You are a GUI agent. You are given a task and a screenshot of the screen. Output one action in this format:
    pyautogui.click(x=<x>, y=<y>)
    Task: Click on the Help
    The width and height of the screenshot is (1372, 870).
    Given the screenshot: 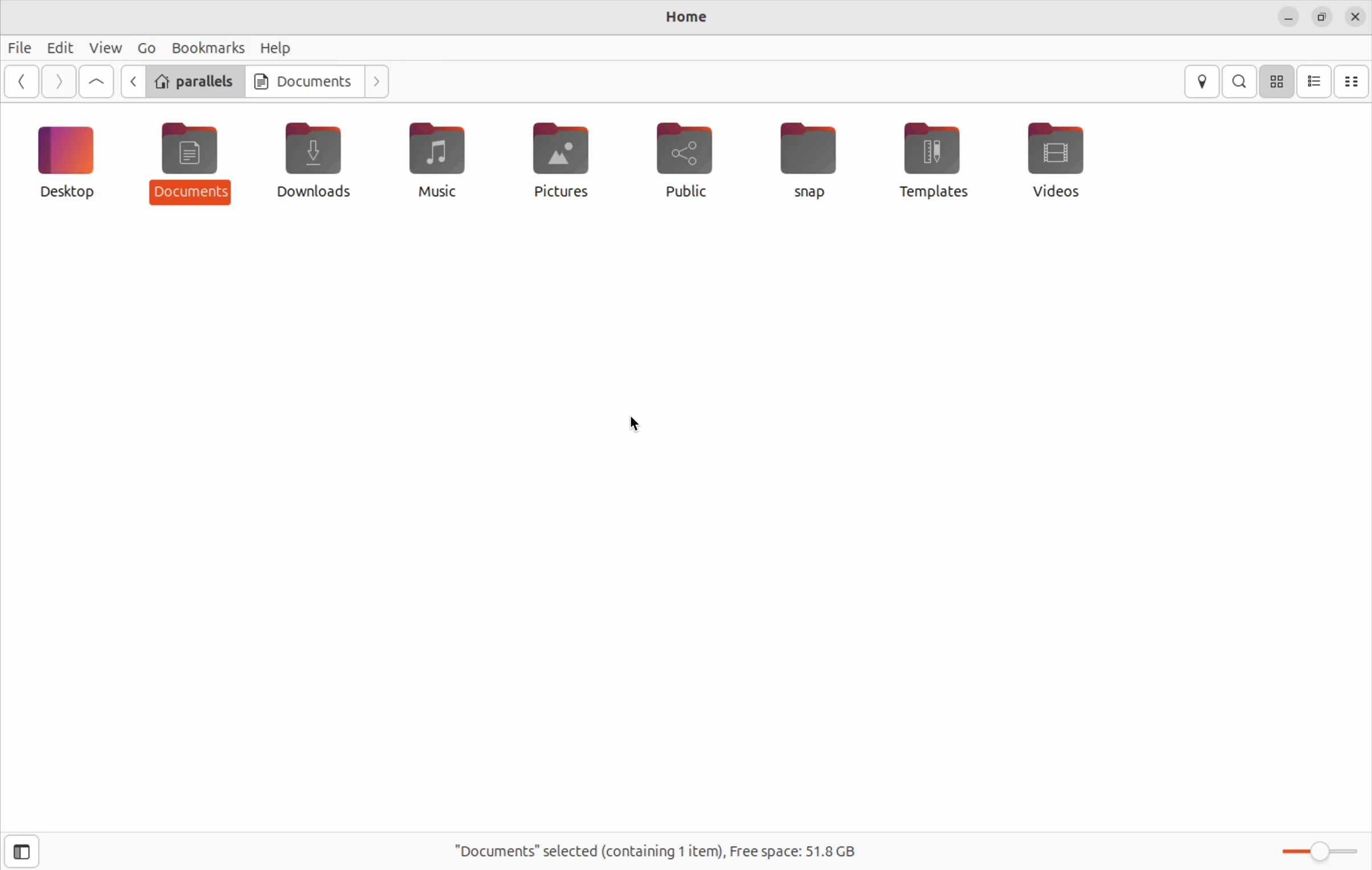 What is the action you would take?
    pyautogui.click(x=279, y=49)
    